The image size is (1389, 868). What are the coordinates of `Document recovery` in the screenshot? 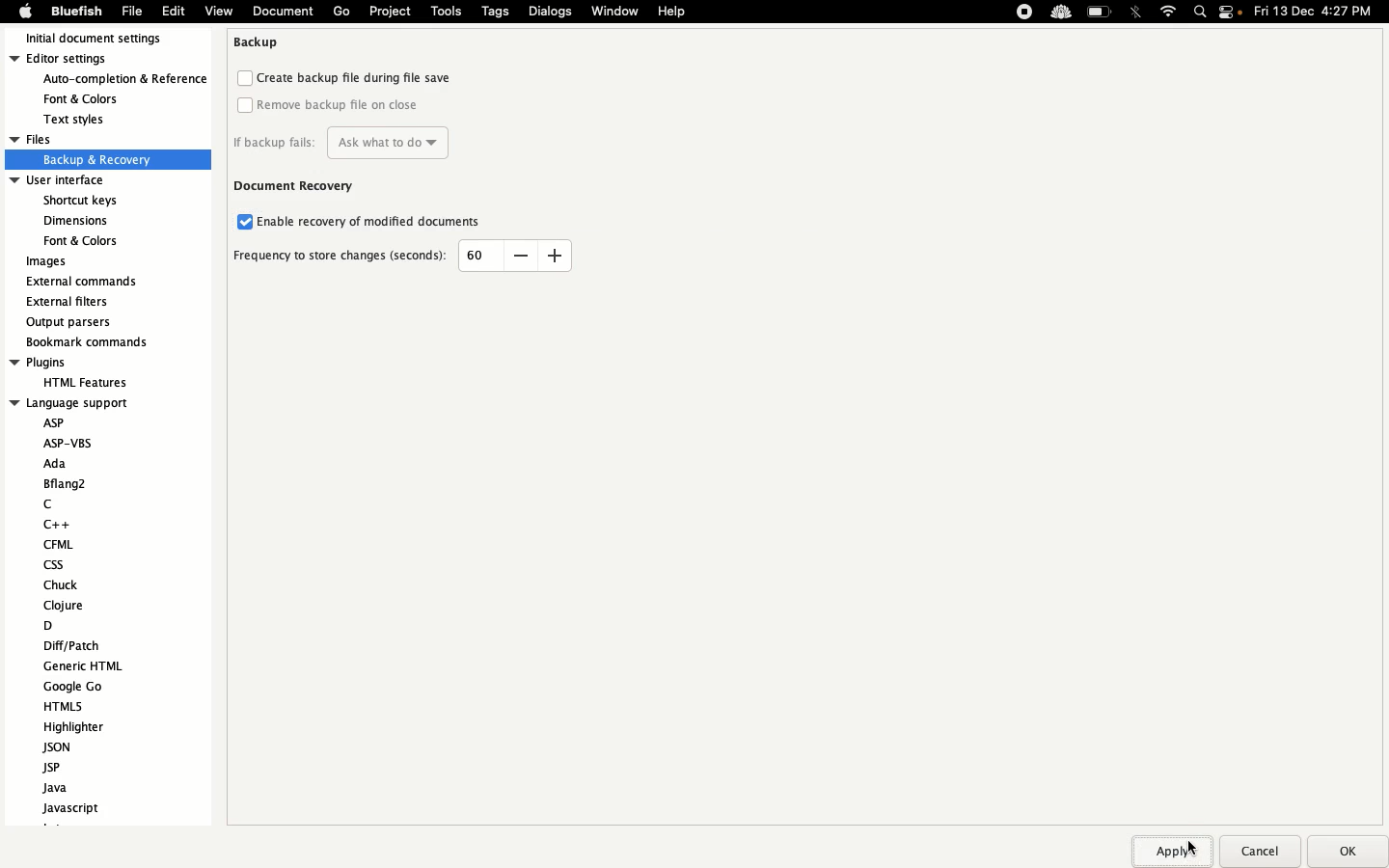 It's located at (296, 187).